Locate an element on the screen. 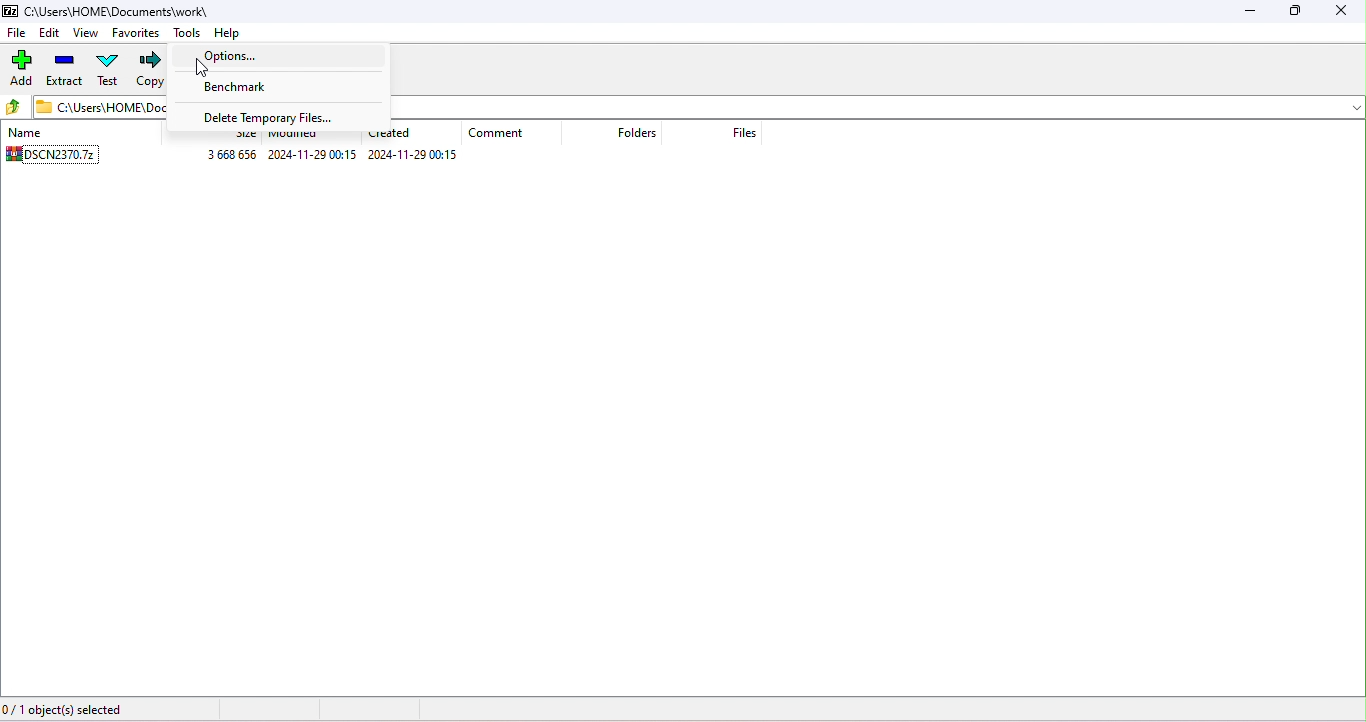 This screenshot has height=722, width=1366. 3 668 656 is located at coordinates (224, 155).